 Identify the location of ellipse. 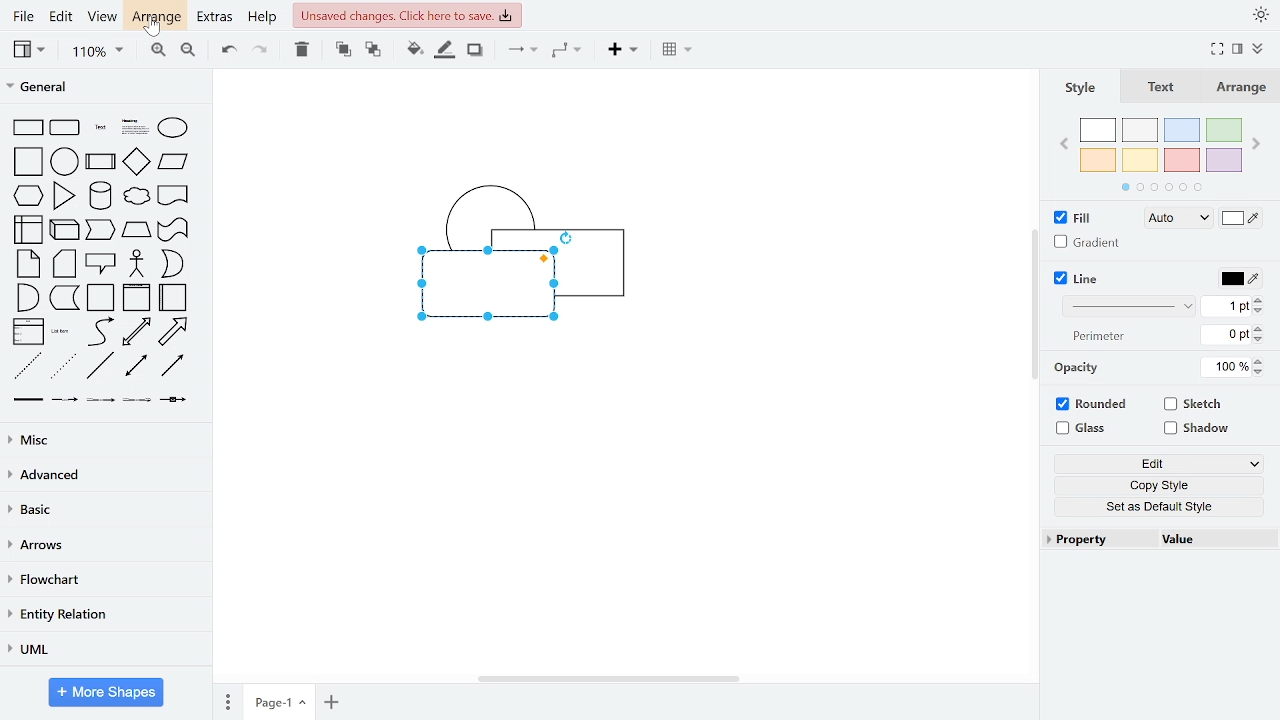
(174, 128).